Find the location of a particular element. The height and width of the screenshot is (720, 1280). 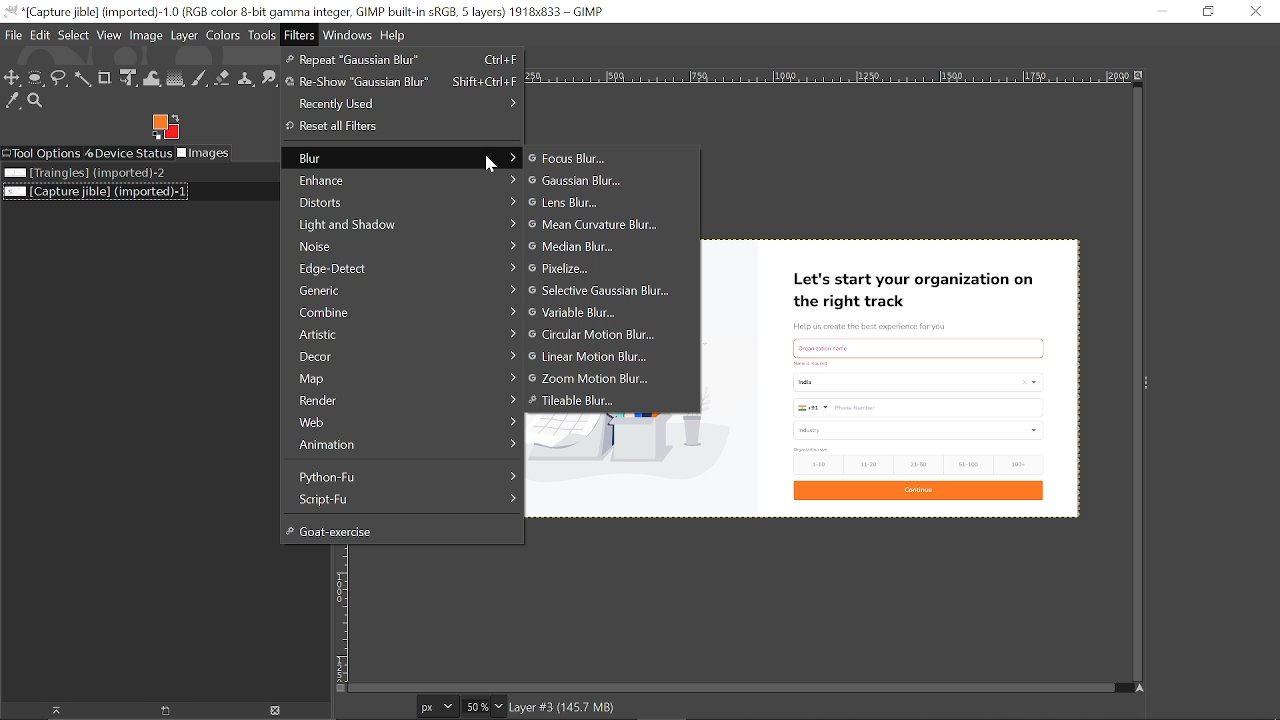

Layer is located at coordinates (185, 37).